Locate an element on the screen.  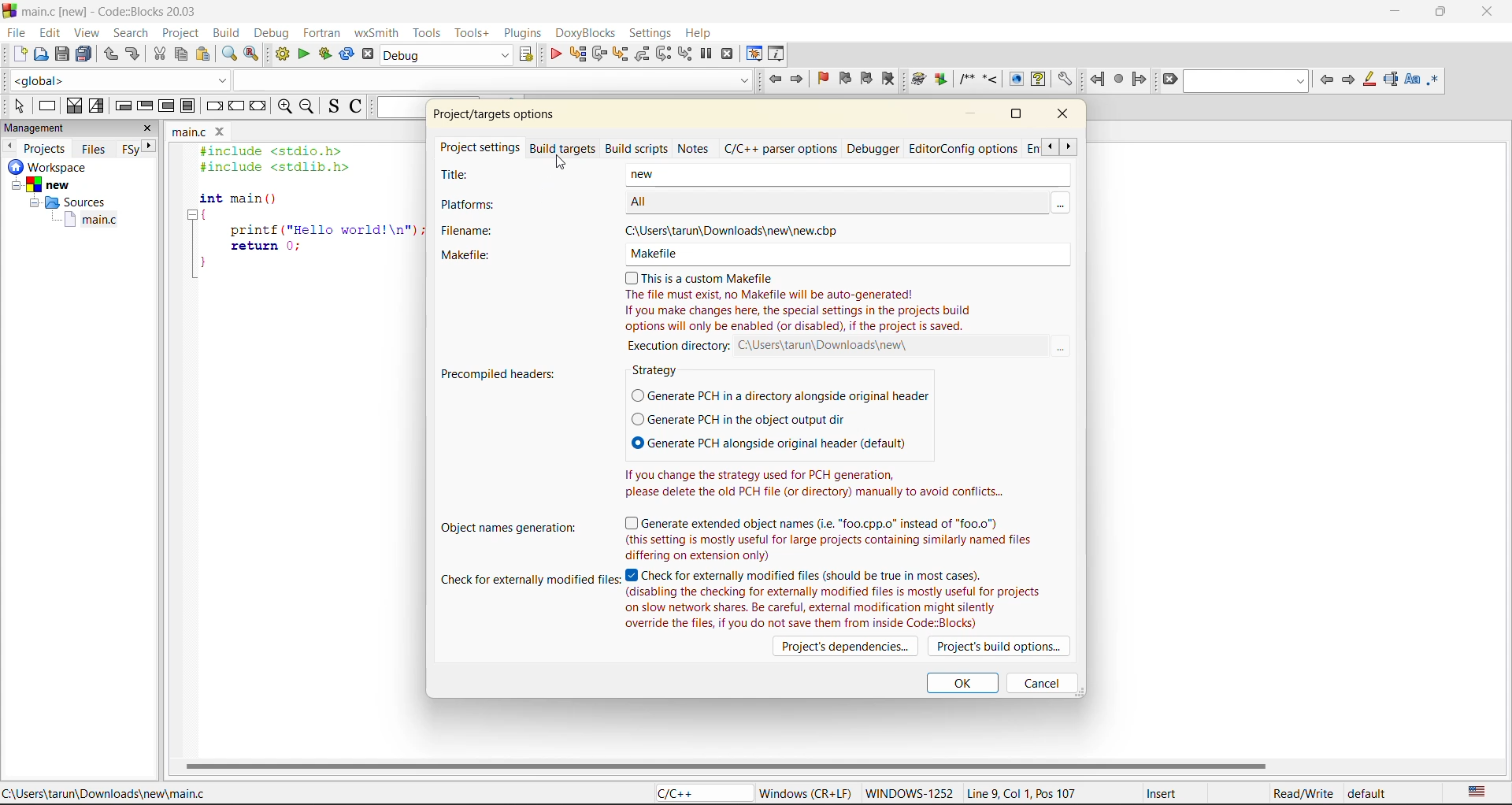
Line 9, Col 1, Pos 107 is located at coordinates (1044, 792).